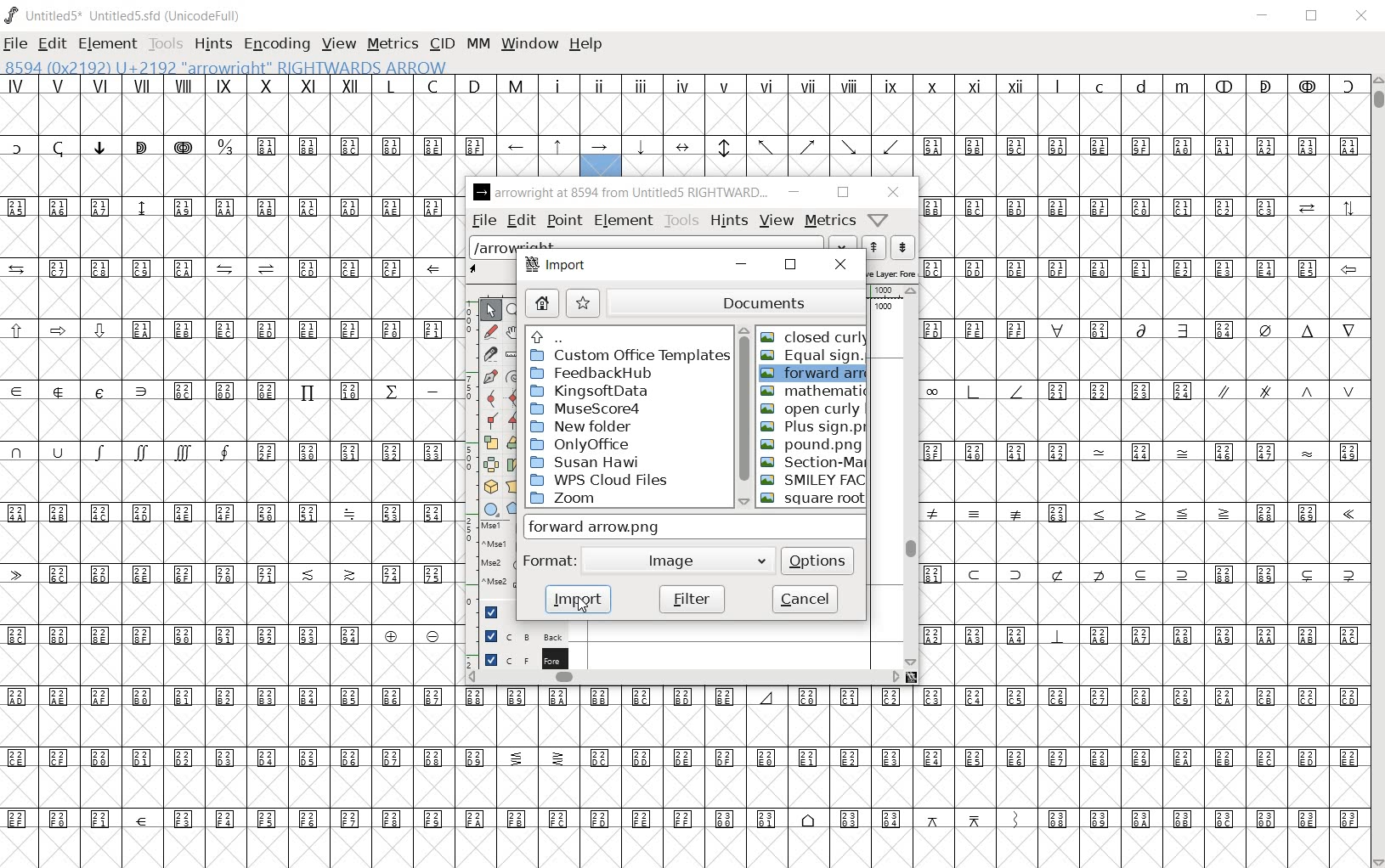 This screenshot has height=868, width=1385. What do you see at coordinates (616, 527) in the screenshot?
I see `forward arrow.png` at bounding box center [616, 527].